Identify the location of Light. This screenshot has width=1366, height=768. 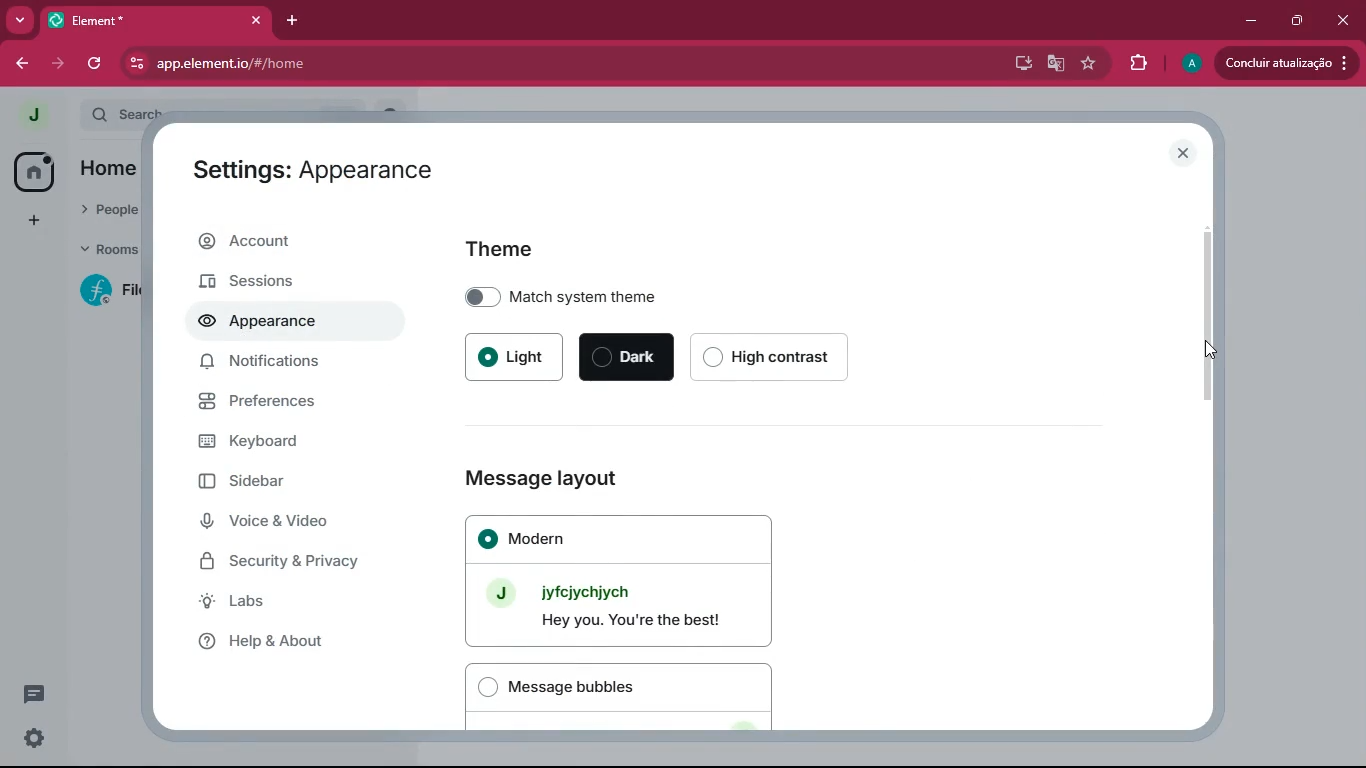
(510, 358).